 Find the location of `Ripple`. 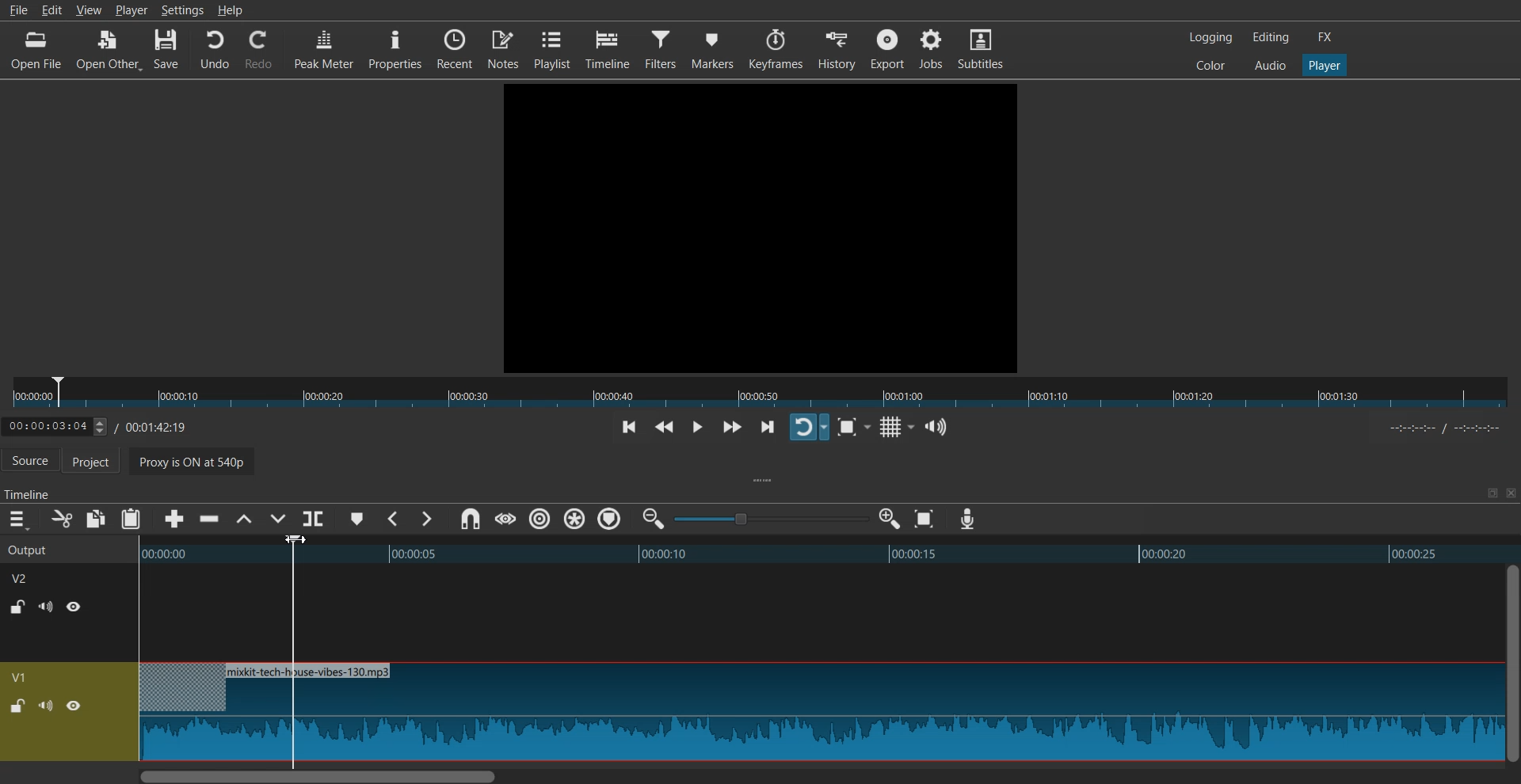

Ripple is located at coordinates (540, 519).